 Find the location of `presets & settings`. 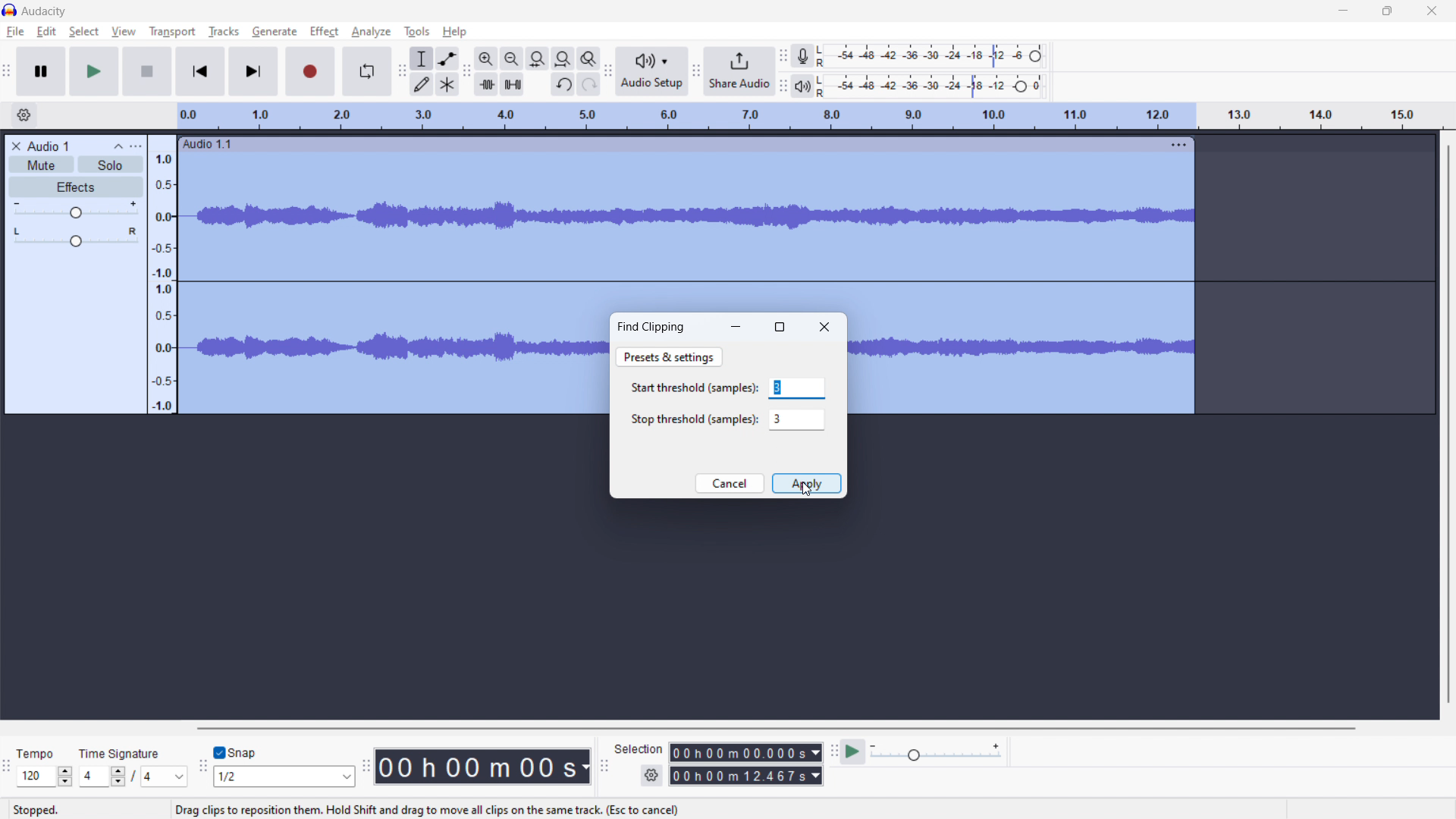

presets & settings is located at coordinates (670, 356).